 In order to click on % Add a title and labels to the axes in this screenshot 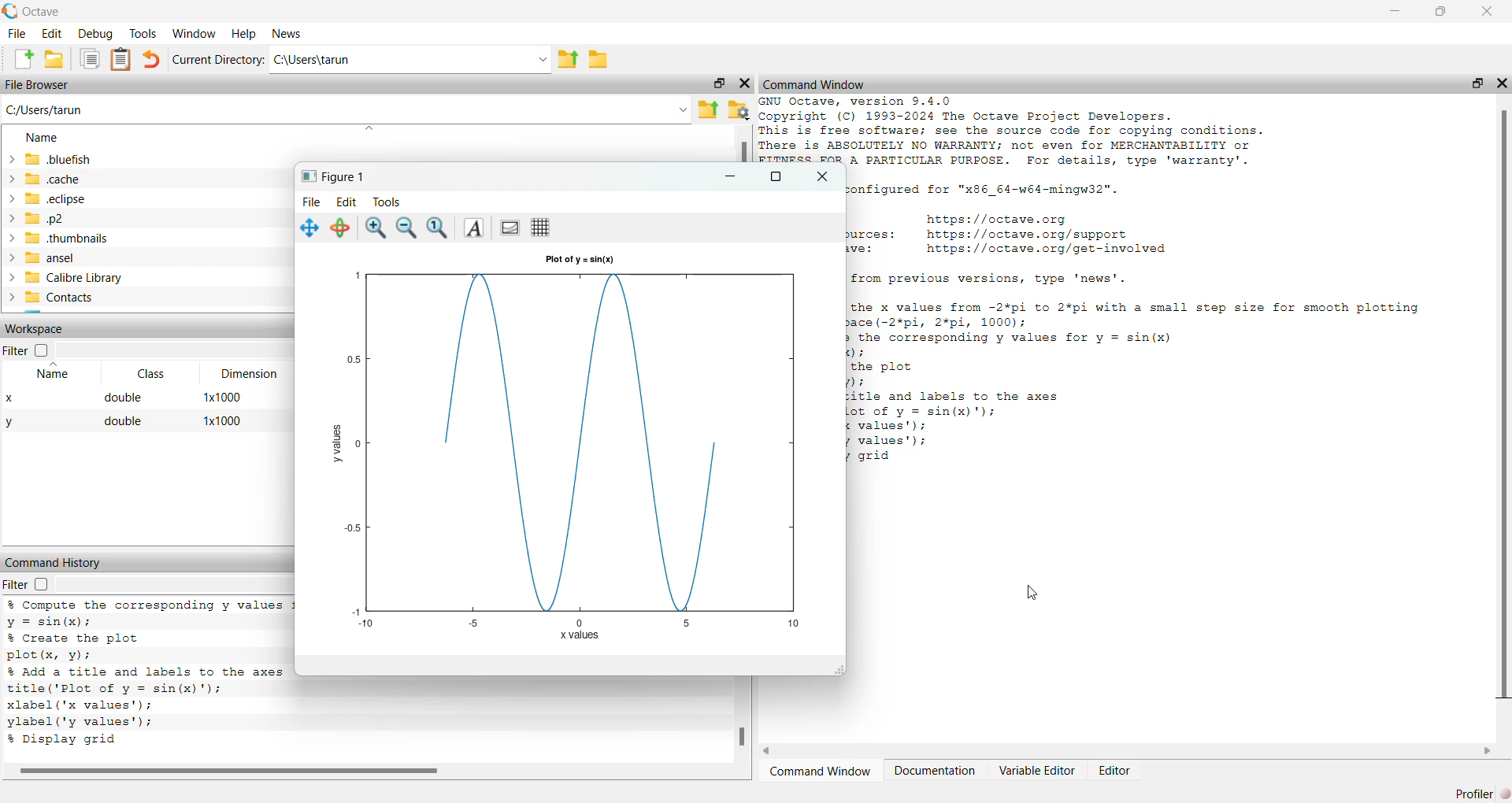, I will do `click(147, 672)`.